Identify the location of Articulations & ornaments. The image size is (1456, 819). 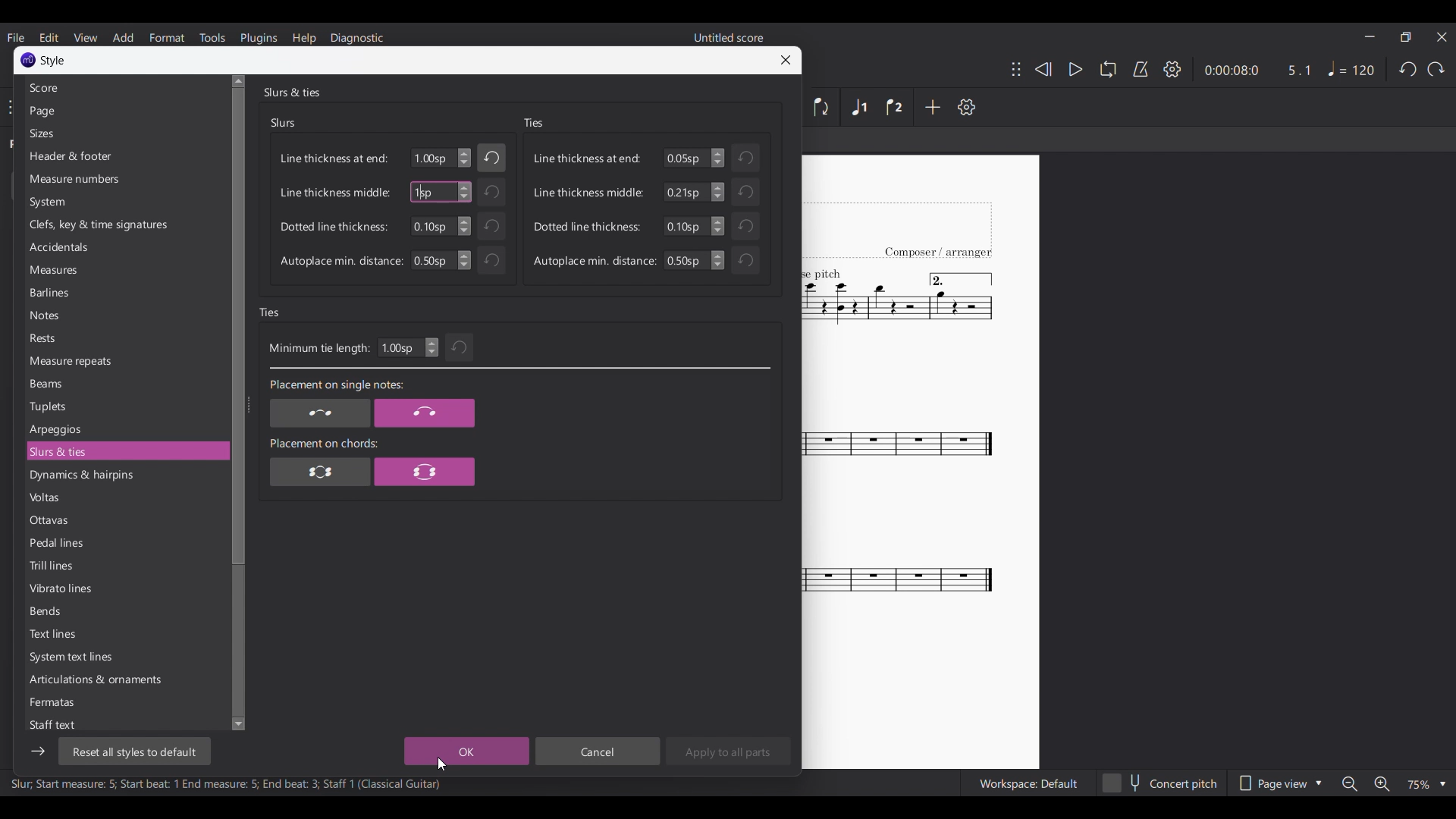
(125, 679).